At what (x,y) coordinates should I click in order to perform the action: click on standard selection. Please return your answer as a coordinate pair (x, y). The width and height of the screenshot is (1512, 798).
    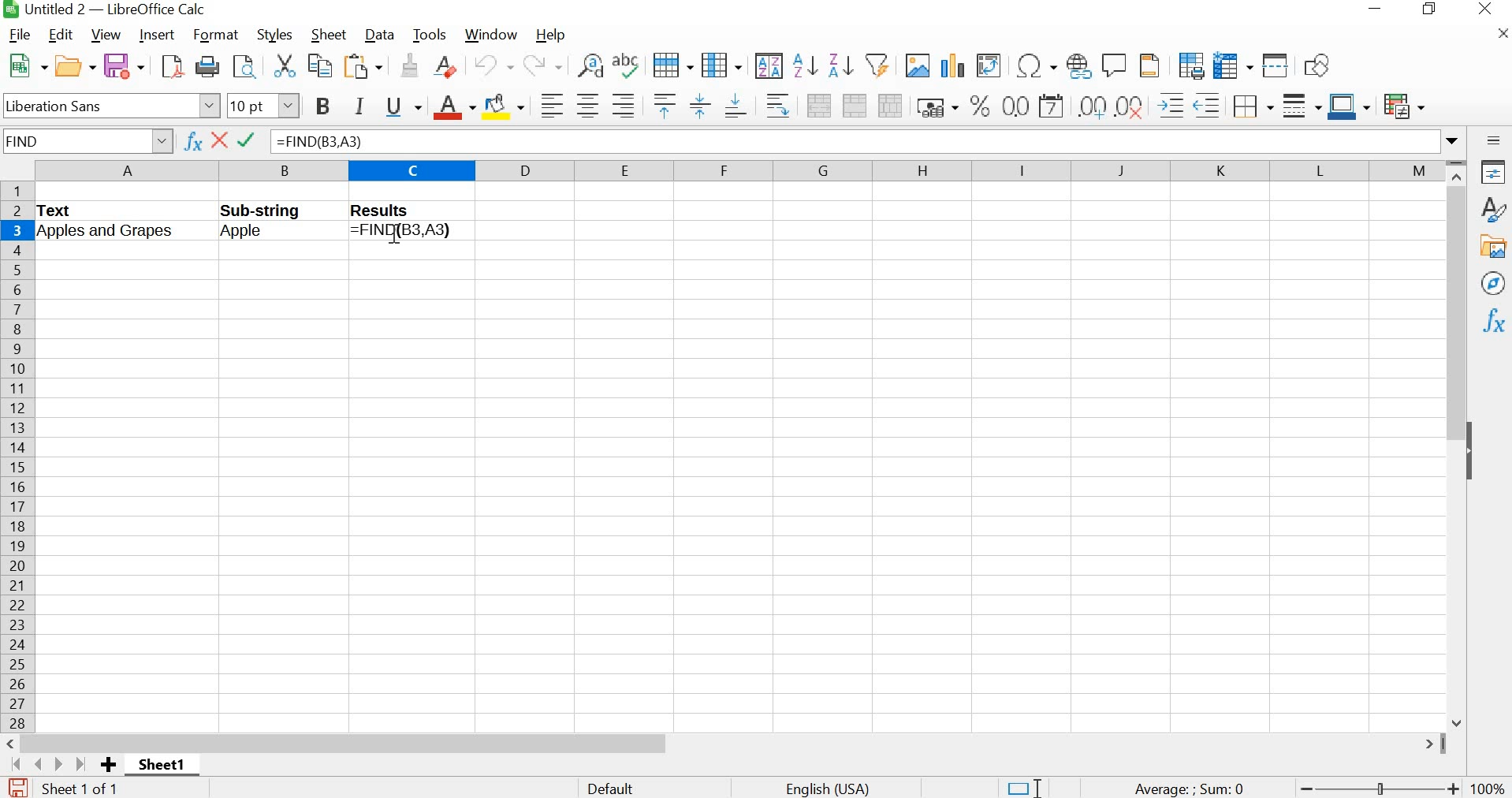
    Looking at the image, I should click on (1019, 786).